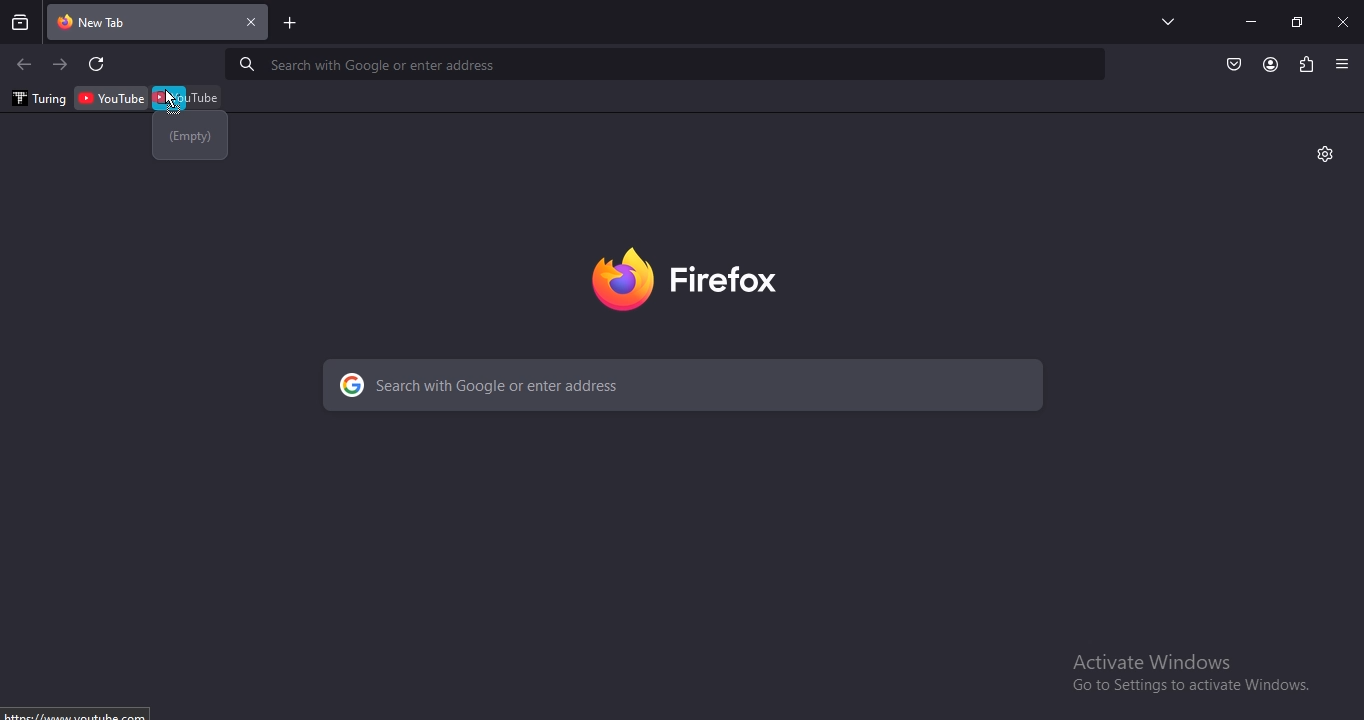 The image size is (1364, 720). Describe the element at coordinates (37, 99) in the screenshot. I see `turing` at that location.